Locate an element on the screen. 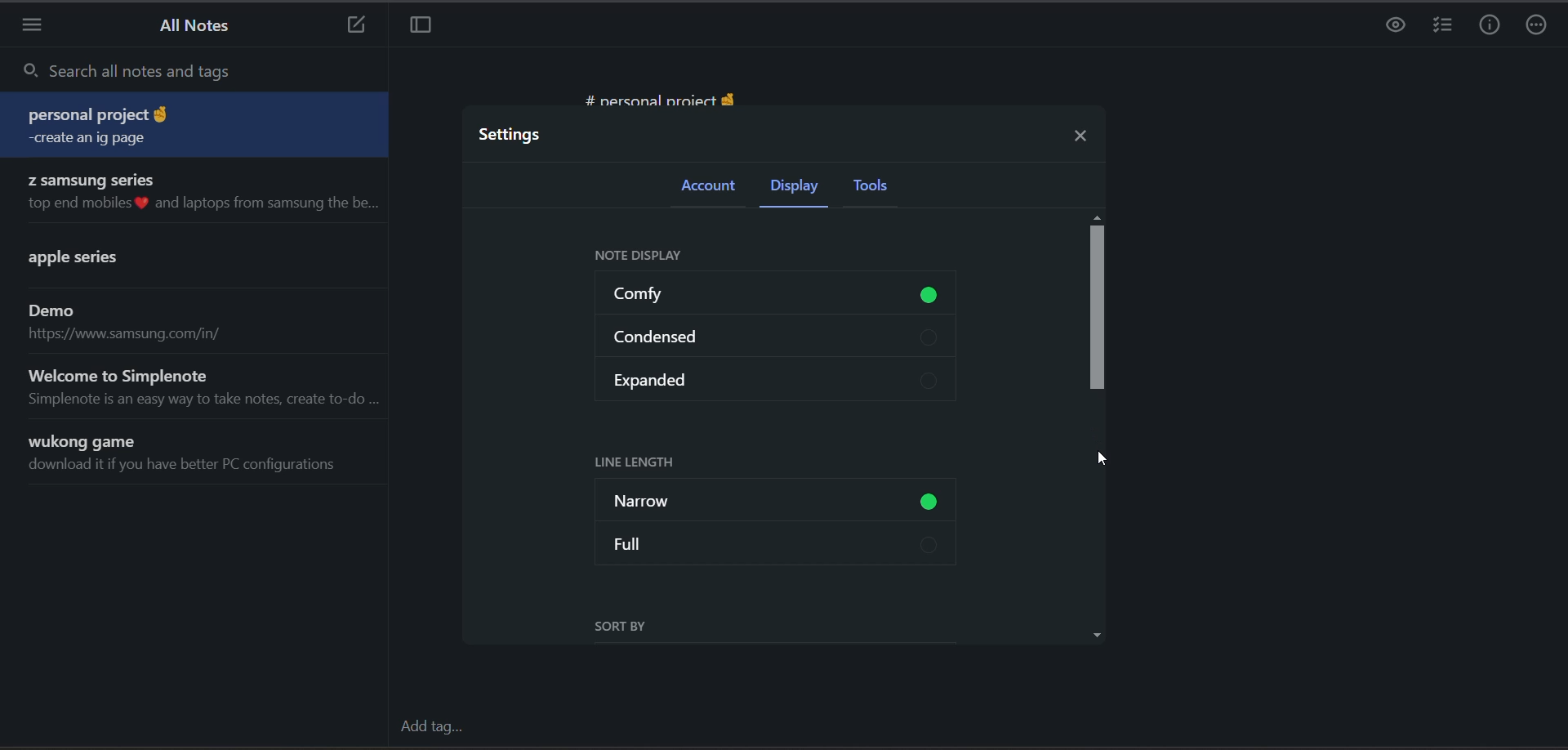 This screenshot has width=1568, height=750. tools is located at coordinates (891, 191).